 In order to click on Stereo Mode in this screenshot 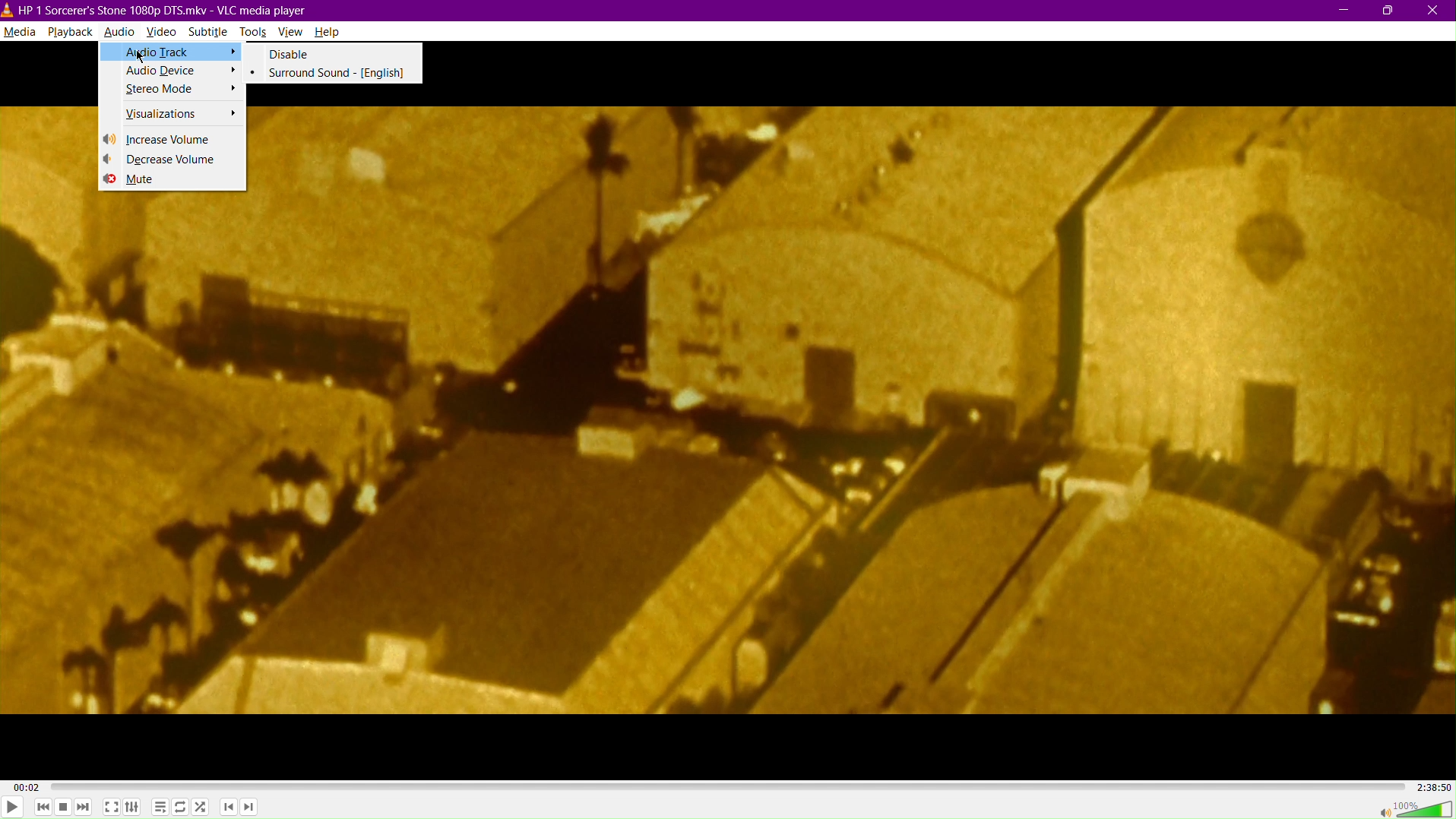, I will do `click(172, 92)`.